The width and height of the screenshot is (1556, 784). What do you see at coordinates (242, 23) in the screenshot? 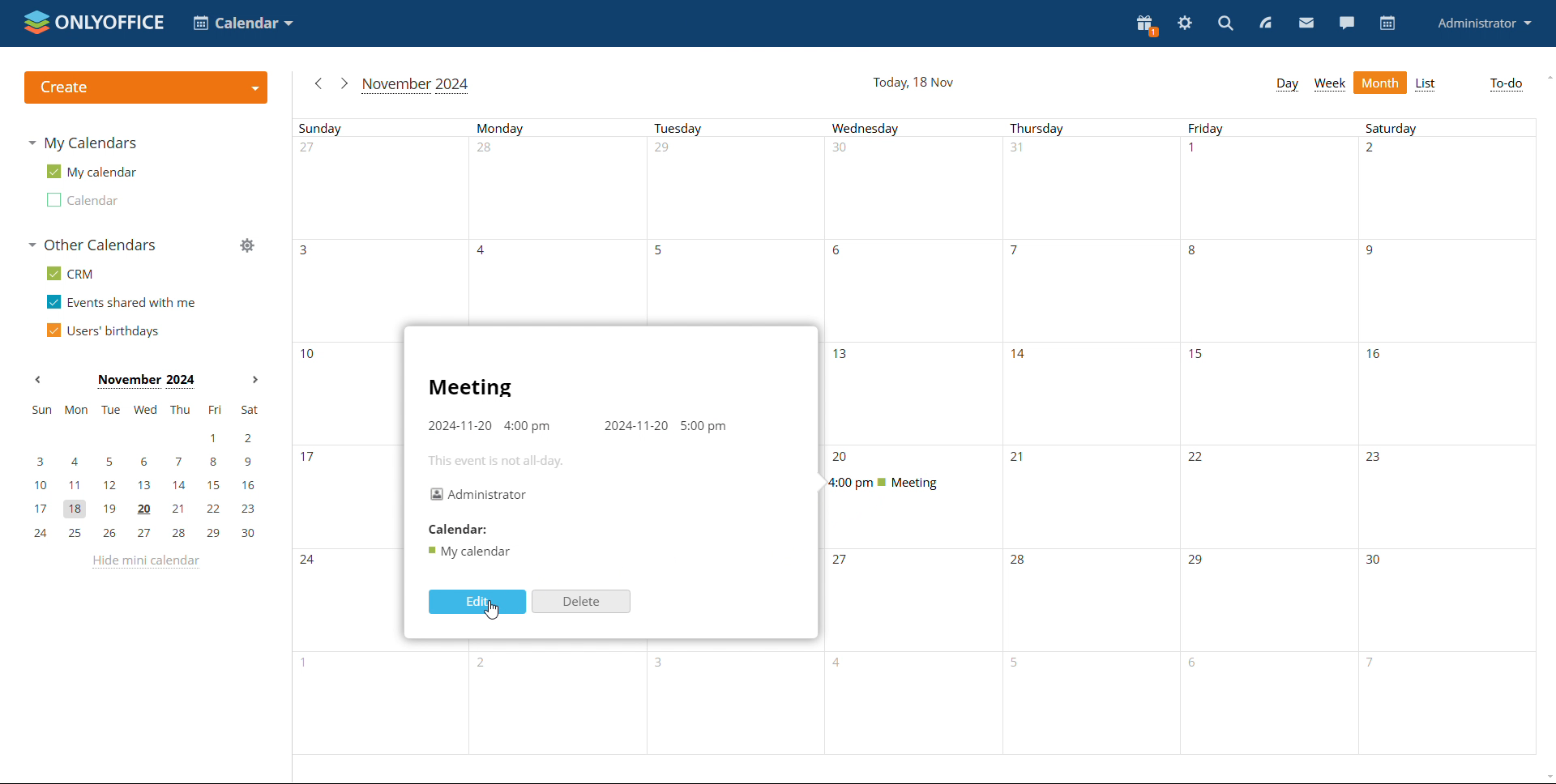
I see `select application` at bounding box center [242, 23].